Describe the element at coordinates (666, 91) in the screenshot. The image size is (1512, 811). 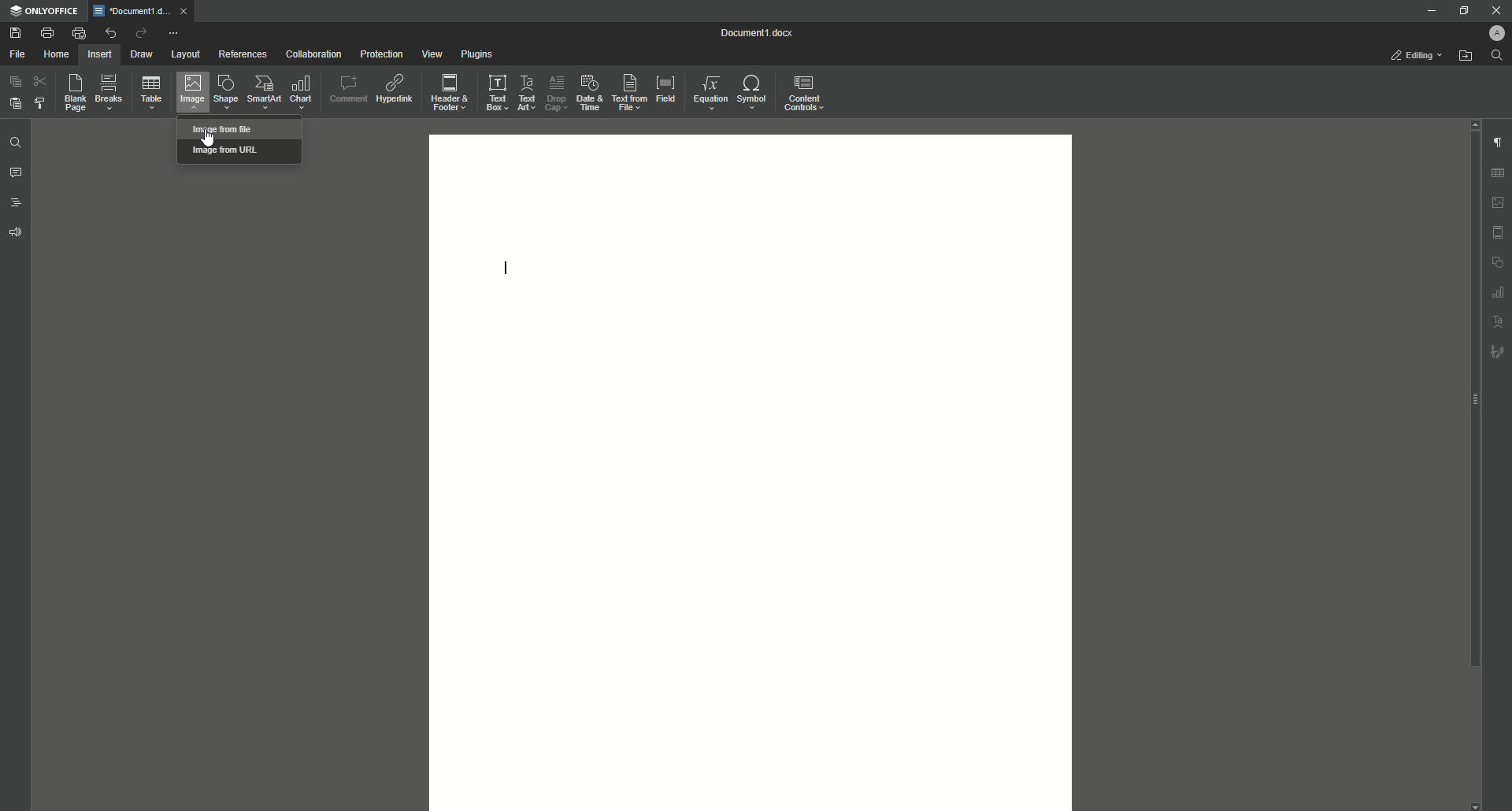
I see `Field` at that location.